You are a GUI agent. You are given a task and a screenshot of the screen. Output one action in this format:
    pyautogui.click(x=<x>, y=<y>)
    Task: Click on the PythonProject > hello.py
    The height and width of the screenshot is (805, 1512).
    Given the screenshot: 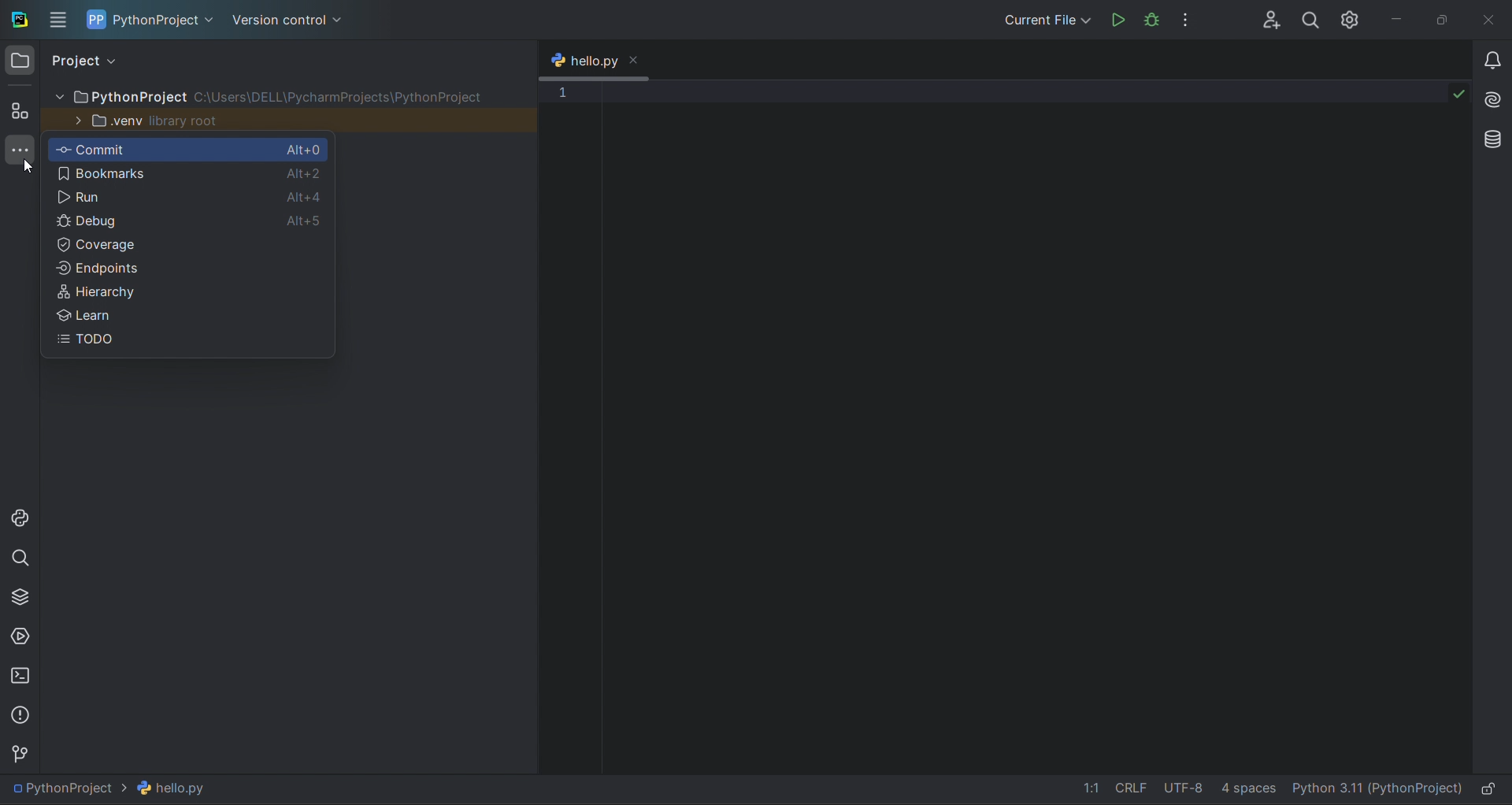 What is the action you would take?
    pyautogui.click(x=113, y=788)
    